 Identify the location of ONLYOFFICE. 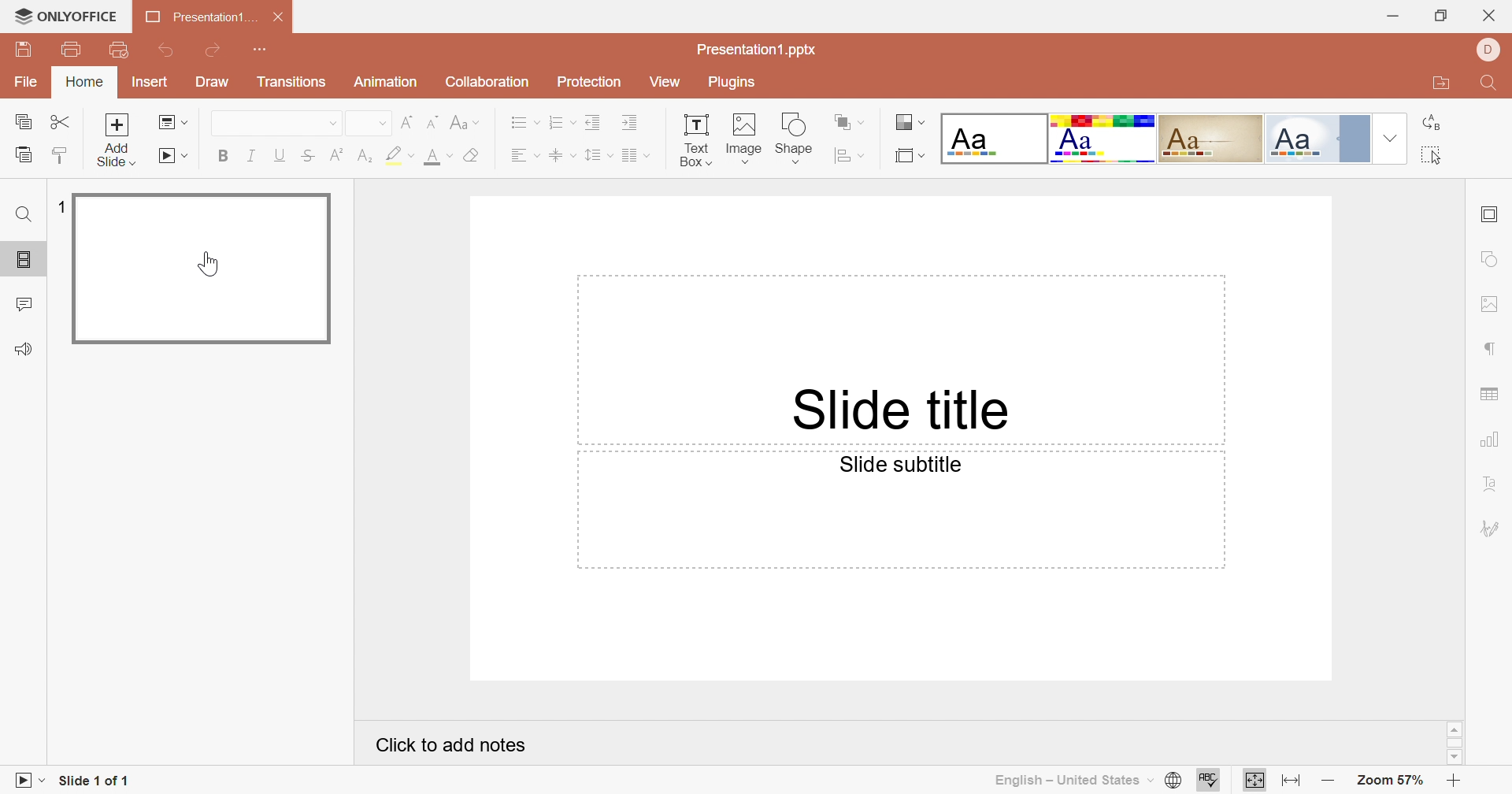
(65, 14).